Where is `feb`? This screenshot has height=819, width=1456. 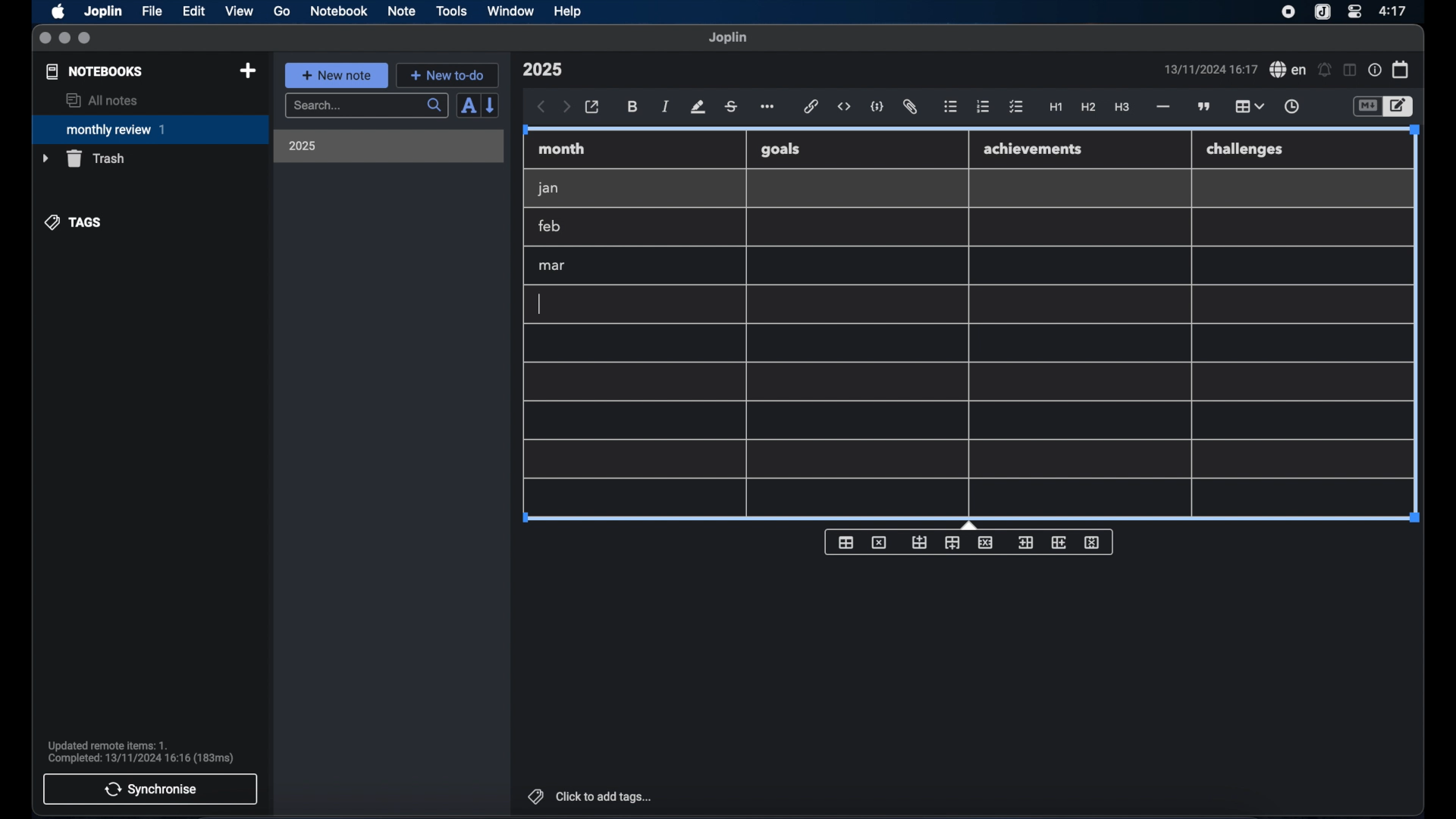 feb is located at coordinates (551, 226).